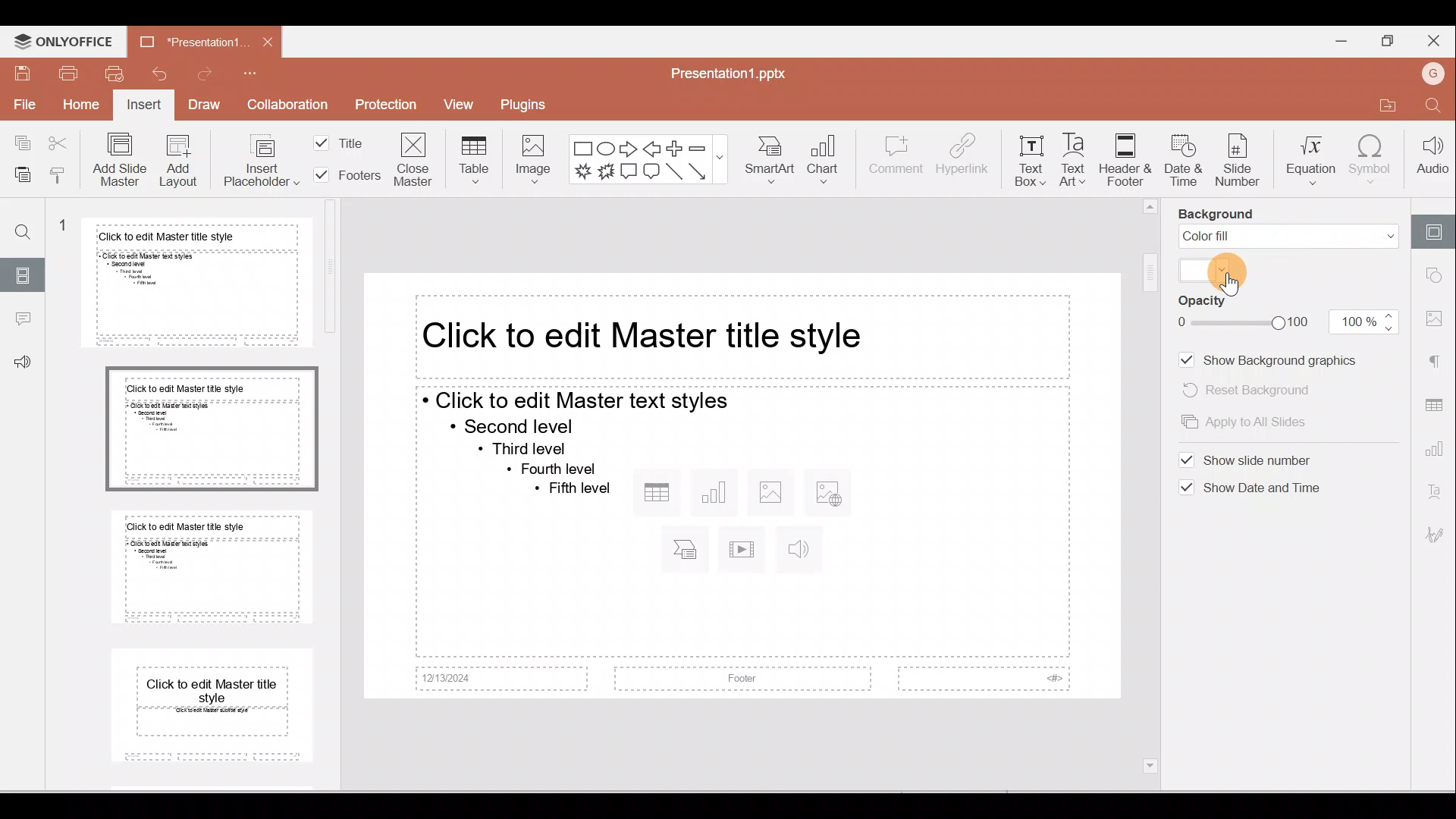  What do you see at coordinates (461, 106) in the screenshot?
I see `View` at bounding box center [461, 106].